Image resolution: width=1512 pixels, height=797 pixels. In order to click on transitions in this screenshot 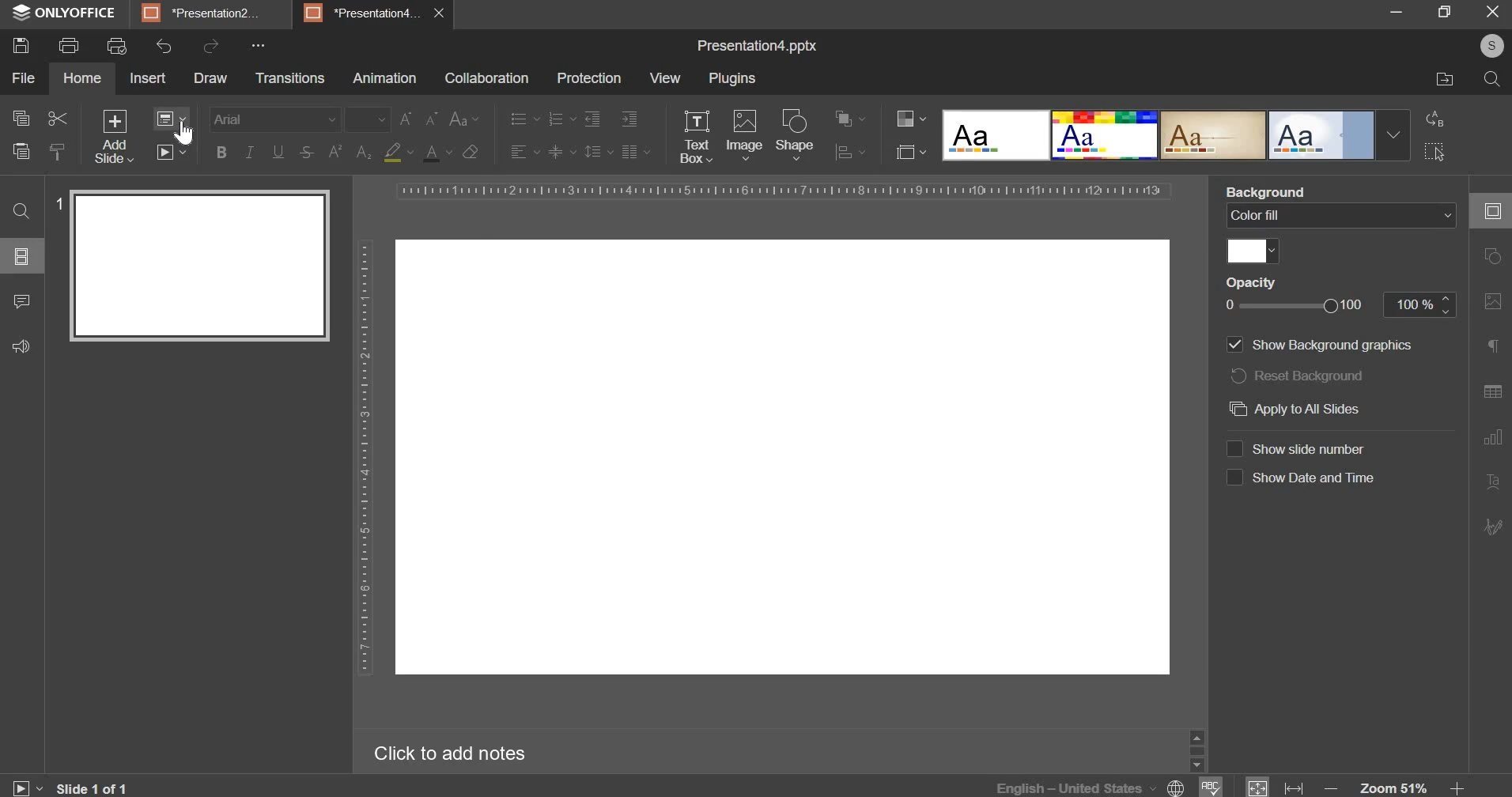, I will do `click(291, 78)`.